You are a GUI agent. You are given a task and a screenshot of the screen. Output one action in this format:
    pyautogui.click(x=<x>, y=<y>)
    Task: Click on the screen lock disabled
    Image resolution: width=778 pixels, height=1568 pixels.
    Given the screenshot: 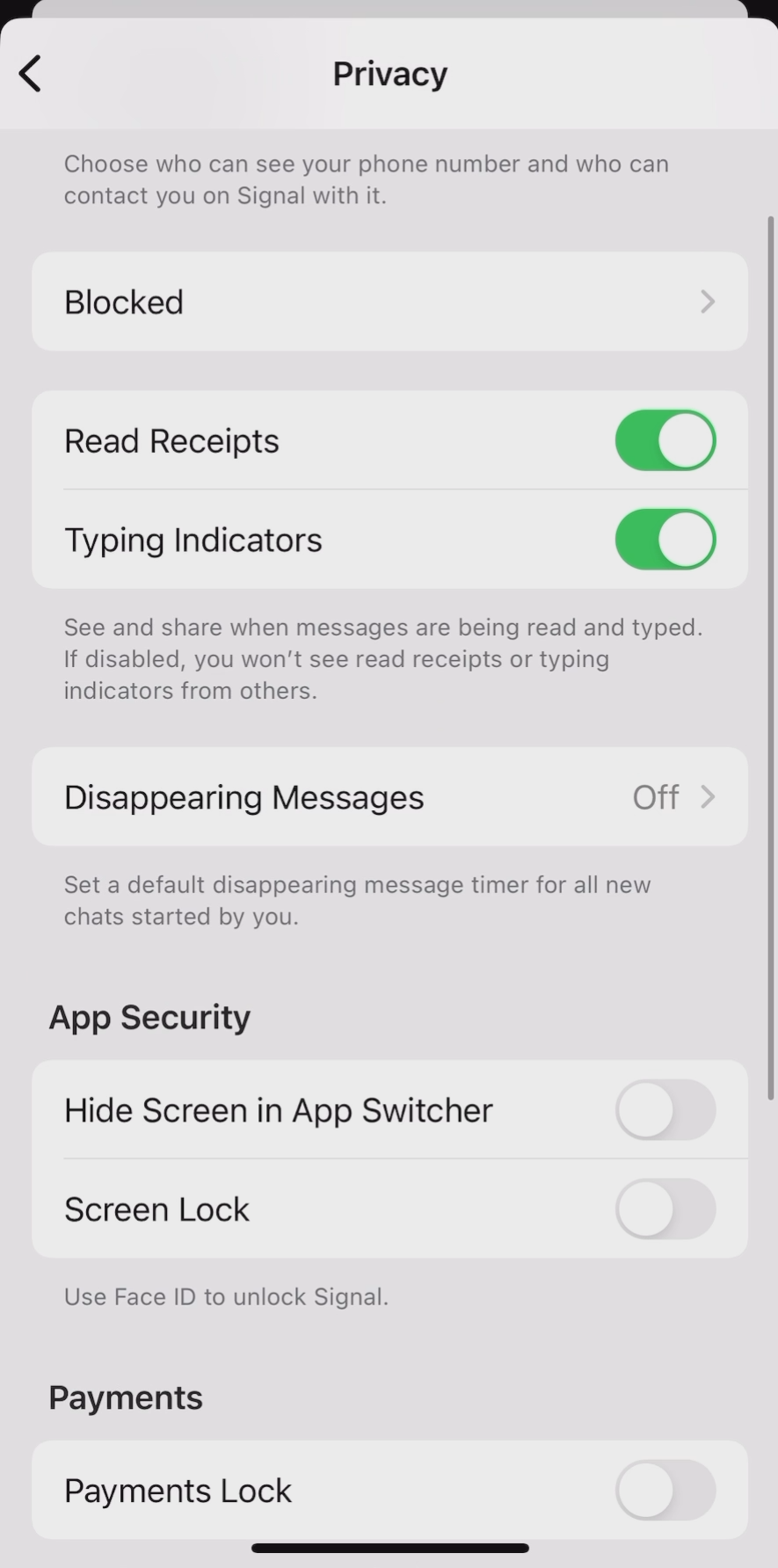 What is the action you would take?
    pyautogui.click(x=391, y=1209)
    